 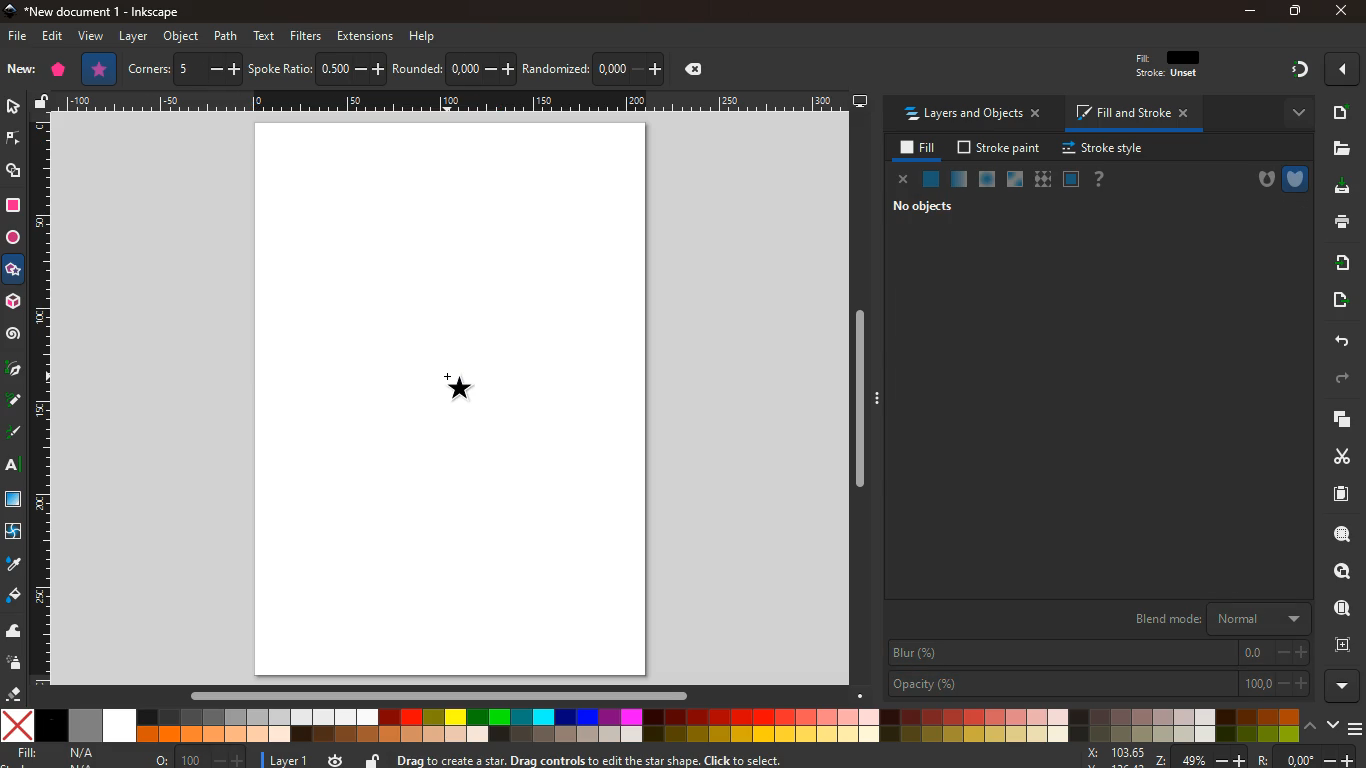 What do you see at coordinates (14, 430) in the screenshot?
I see `write` at bounding box center [14, 430].